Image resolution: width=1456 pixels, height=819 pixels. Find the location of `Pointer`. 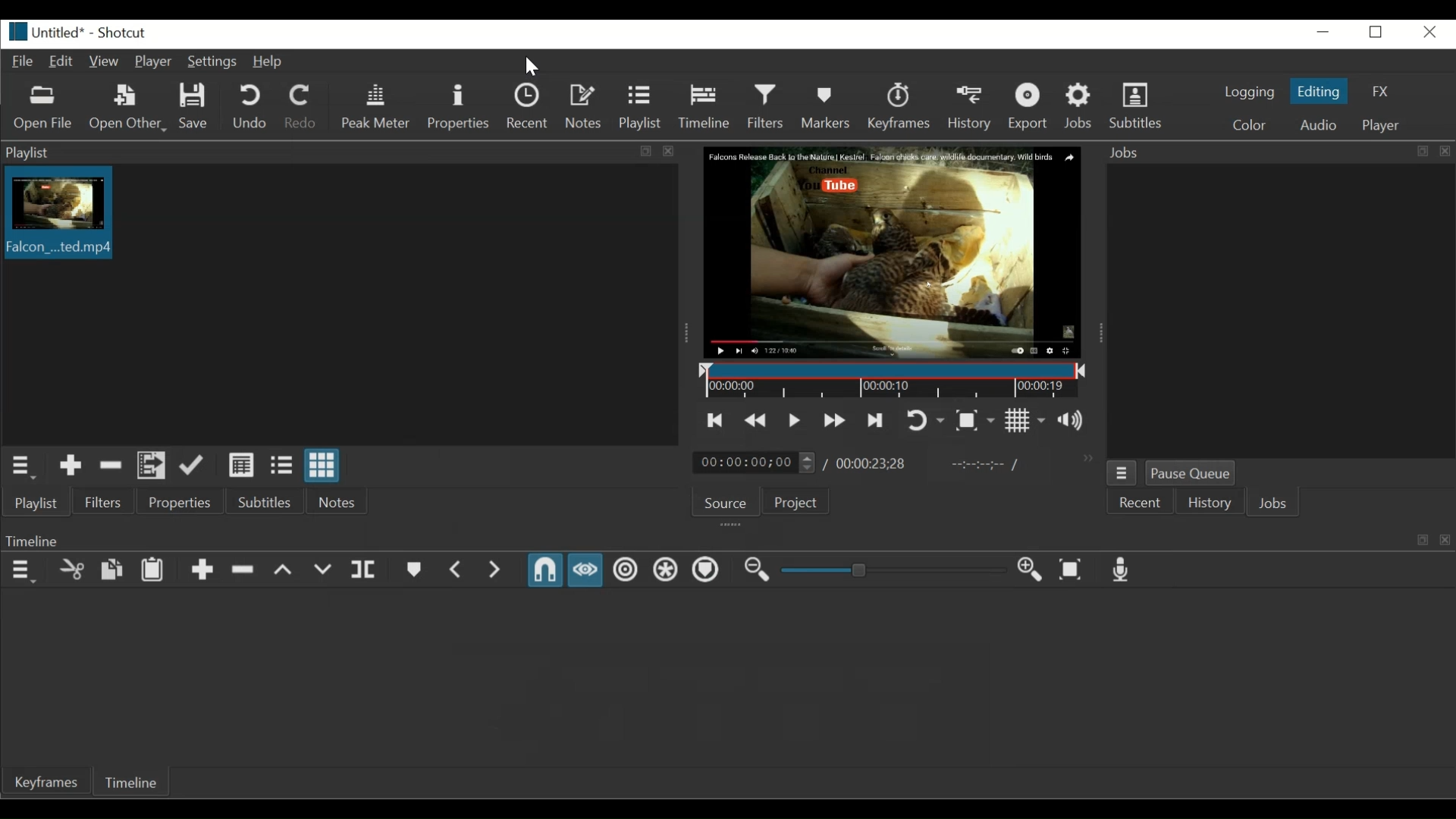

Pointer is located at coordinates (534, 65).